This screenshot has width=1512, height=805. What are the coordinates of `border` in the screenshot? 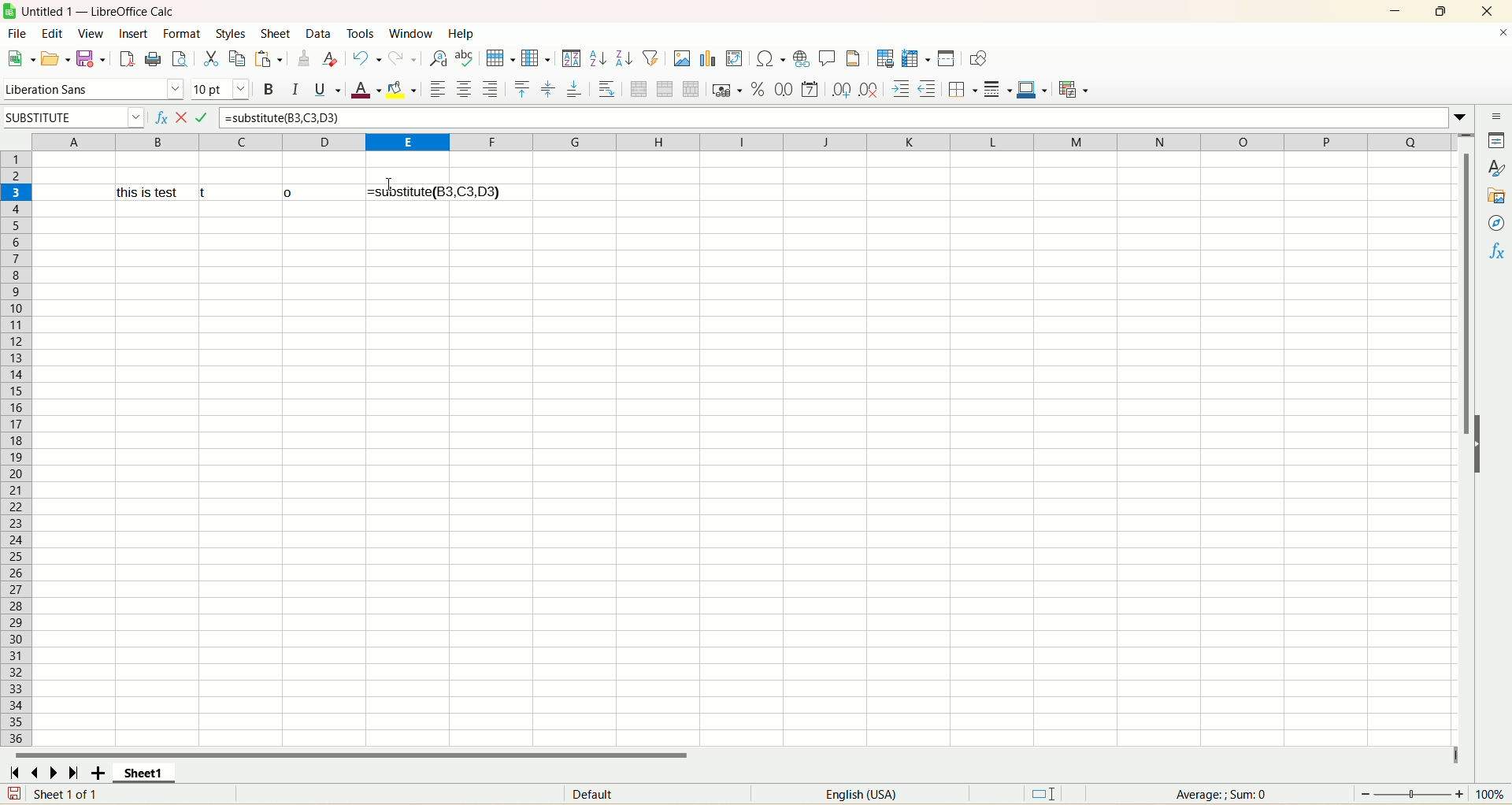 It's located at (962, 89).